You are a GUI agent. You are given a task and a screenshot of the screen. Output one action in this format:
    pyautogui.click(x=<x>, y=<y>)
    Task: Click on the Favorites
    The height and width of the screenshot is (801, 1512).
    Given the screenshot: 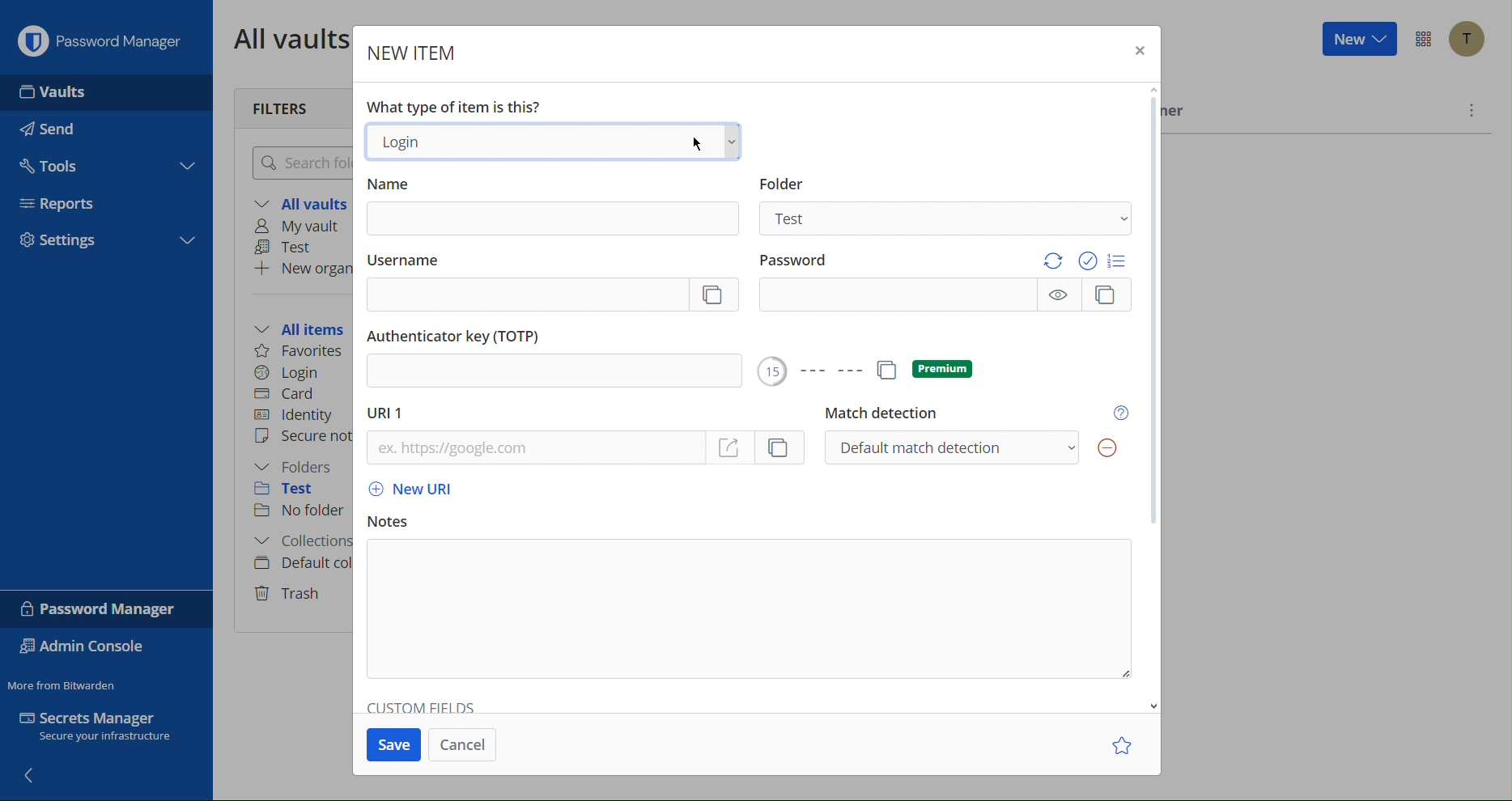 What is the action you would take?
    pyautogui.click(x=303, y=353)
    